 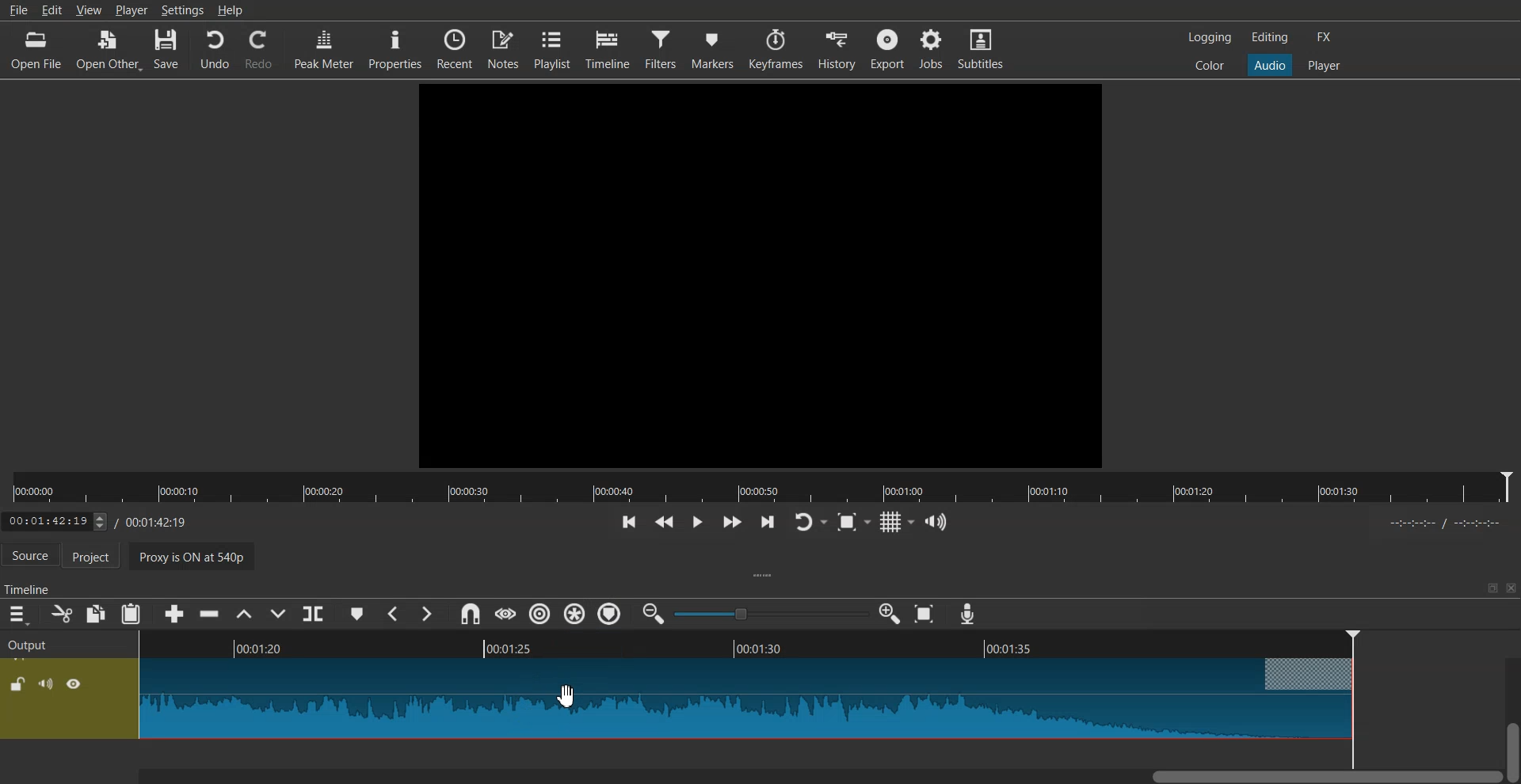 What do you see at coordinates (67, 641) in the screenshot?
I see `Output` at bounding box center [67, 641].